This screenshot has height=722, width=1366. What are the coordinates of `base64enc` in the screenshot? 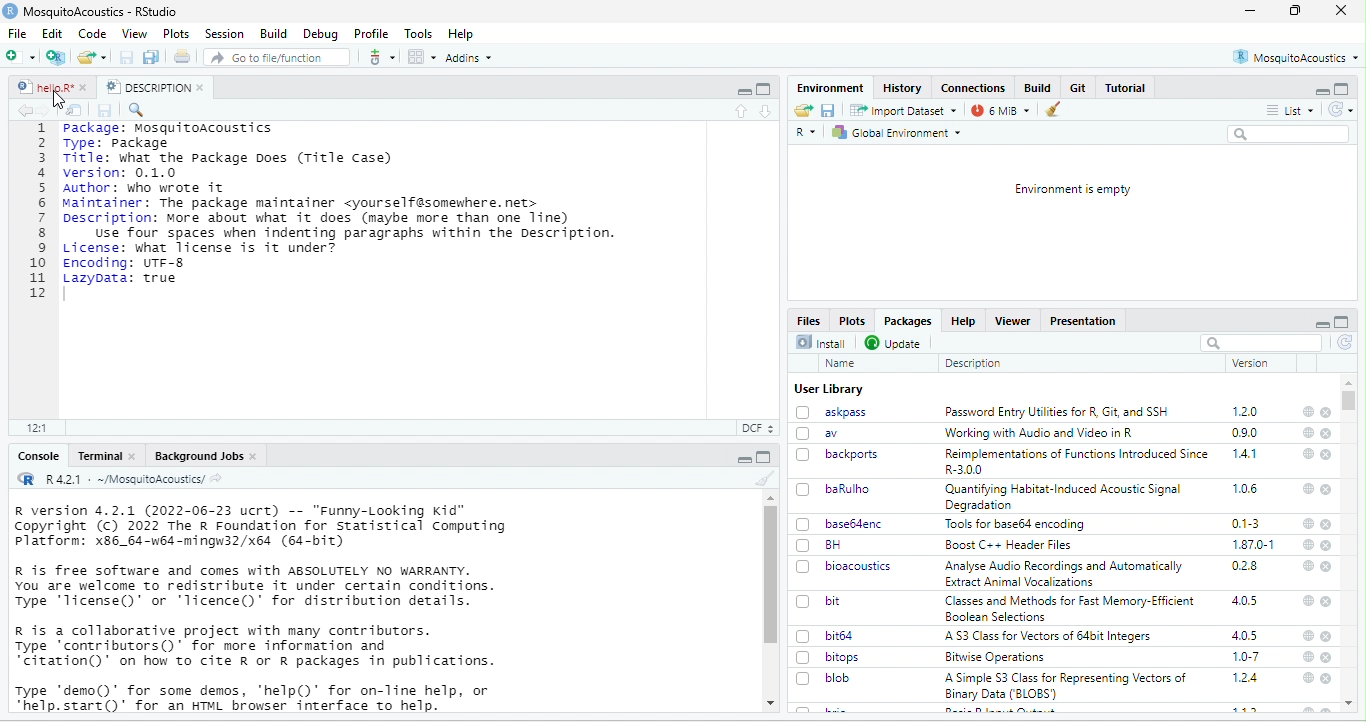 It's located at (840, 524).